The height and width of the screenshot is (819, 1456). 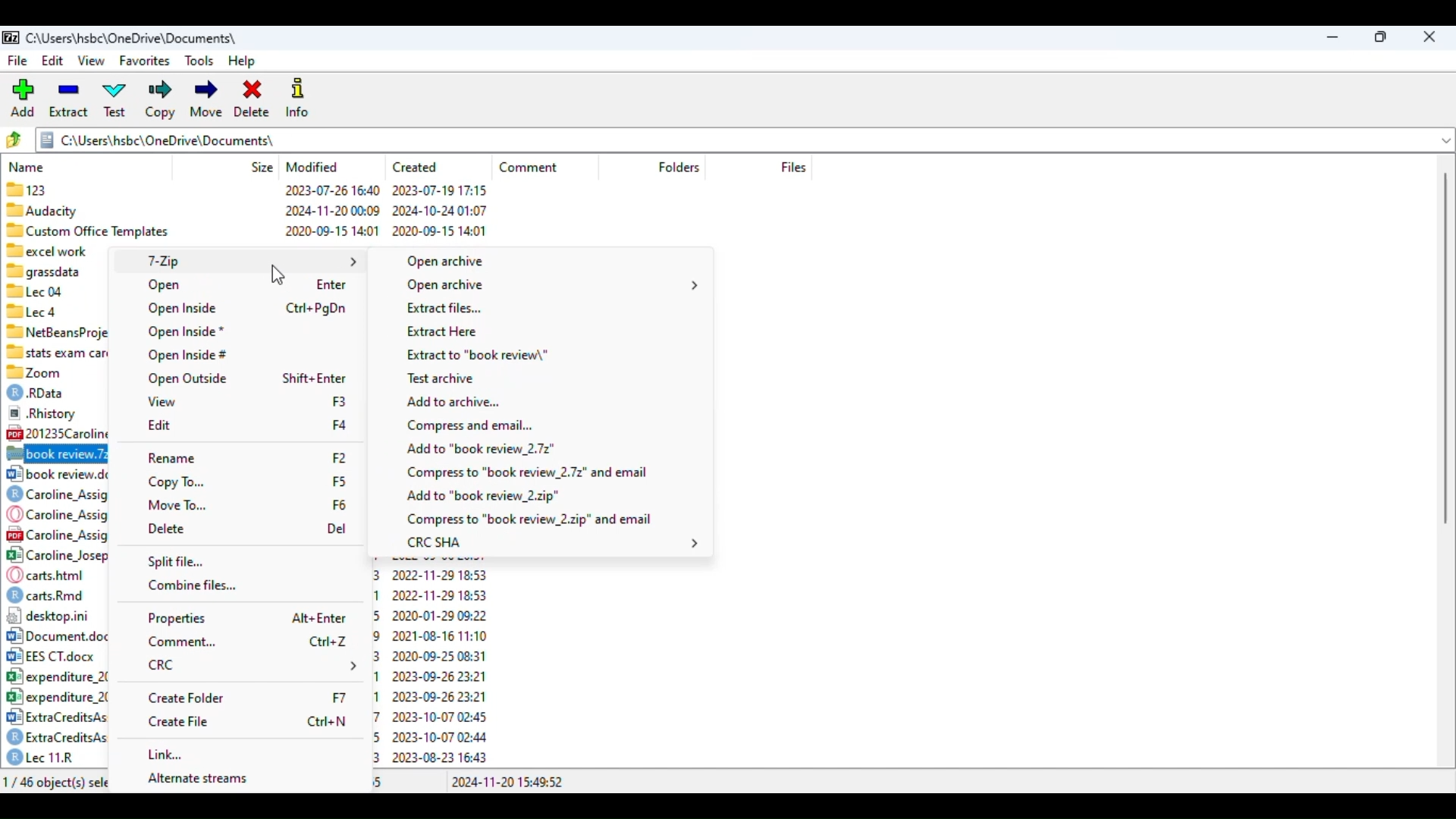 What do you see at coordinates (328, 720) in the screenshot?
I see `shortcut for create file` at bounding box center [328, 720].